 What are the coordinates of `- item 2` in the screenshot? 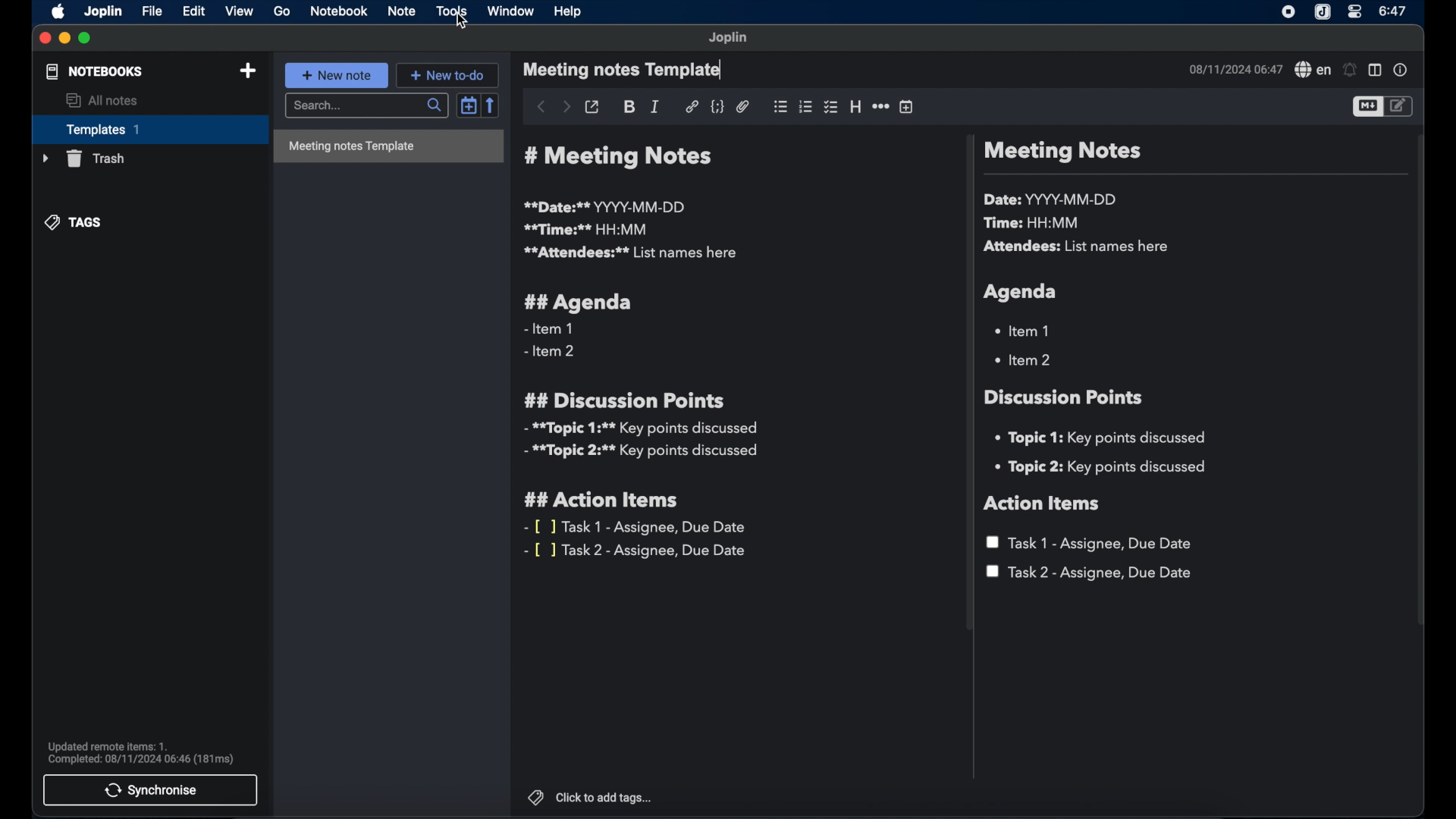 It's located at (551, 352).